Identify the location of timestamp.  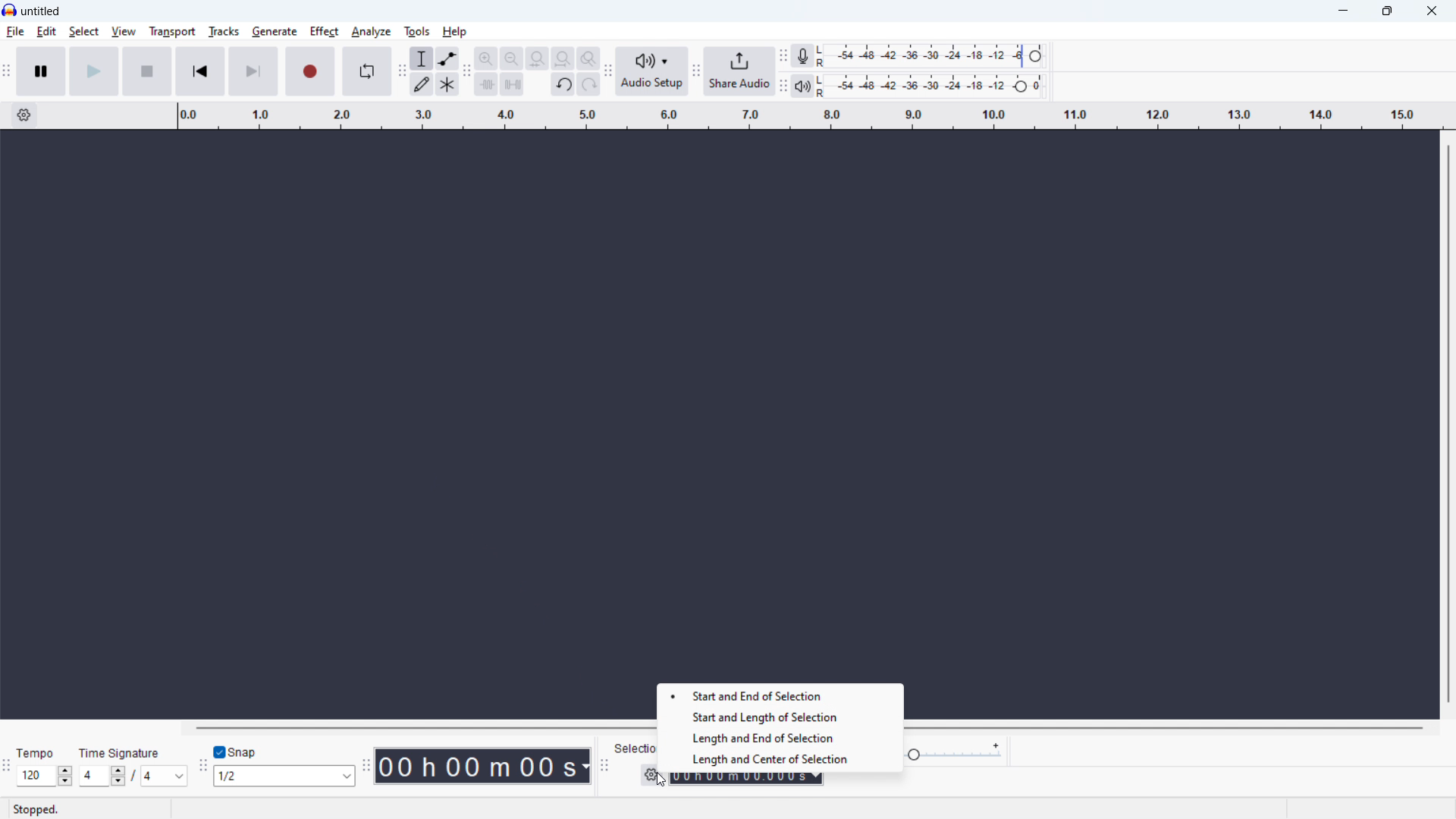
(484, 765).